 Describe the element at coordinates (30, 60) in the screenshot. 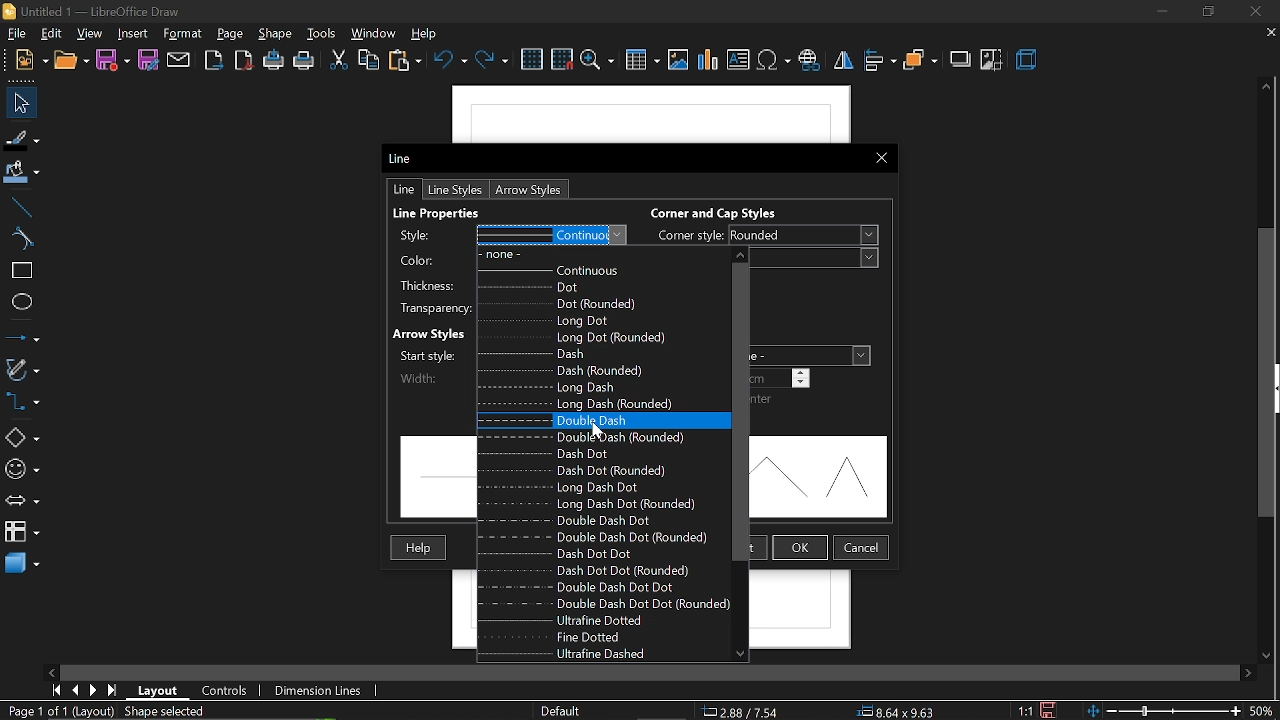

I see `open` at that location.